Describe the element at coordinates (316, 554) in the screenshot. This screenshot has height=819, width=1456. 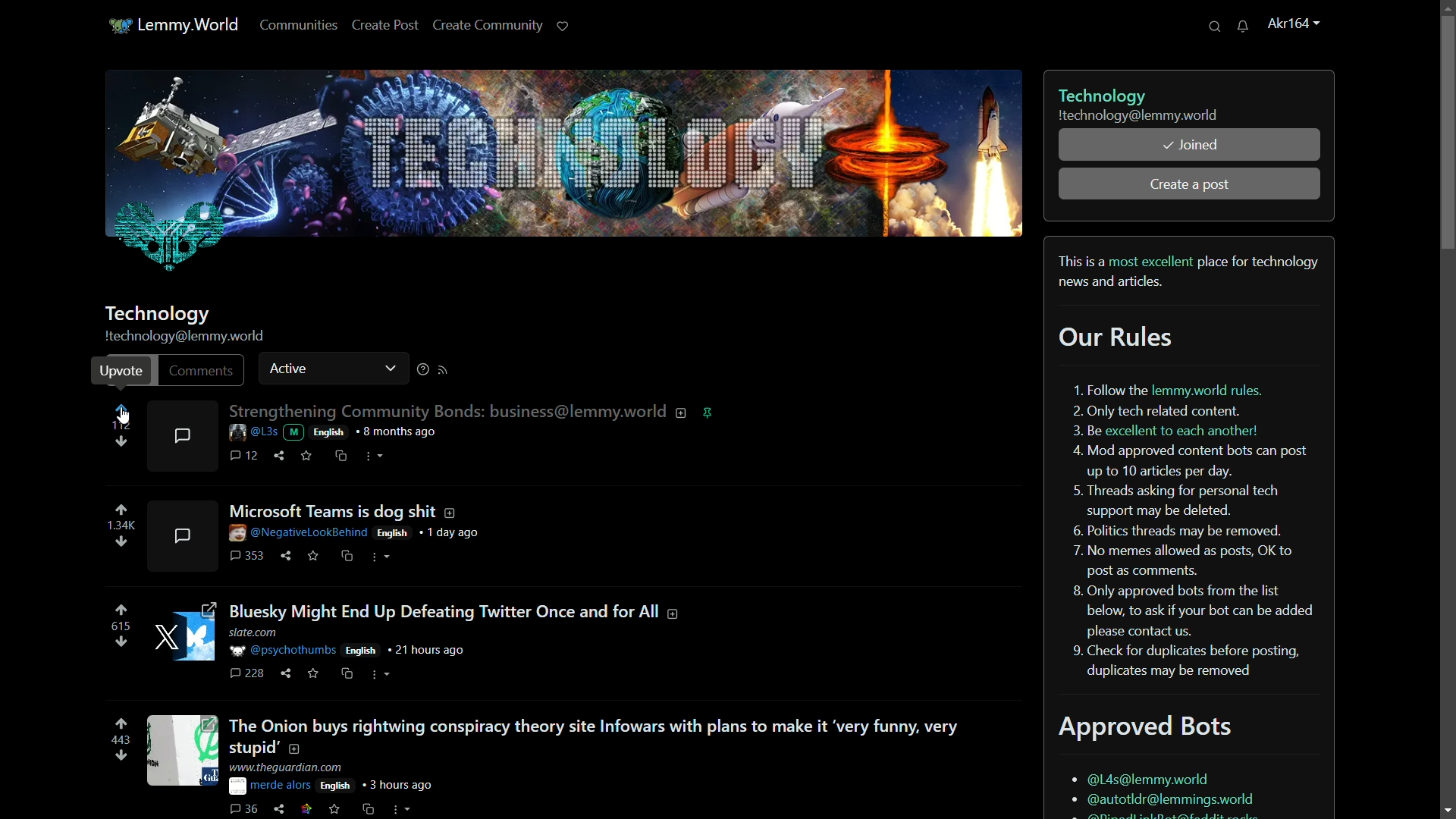
I see `save` at that location.